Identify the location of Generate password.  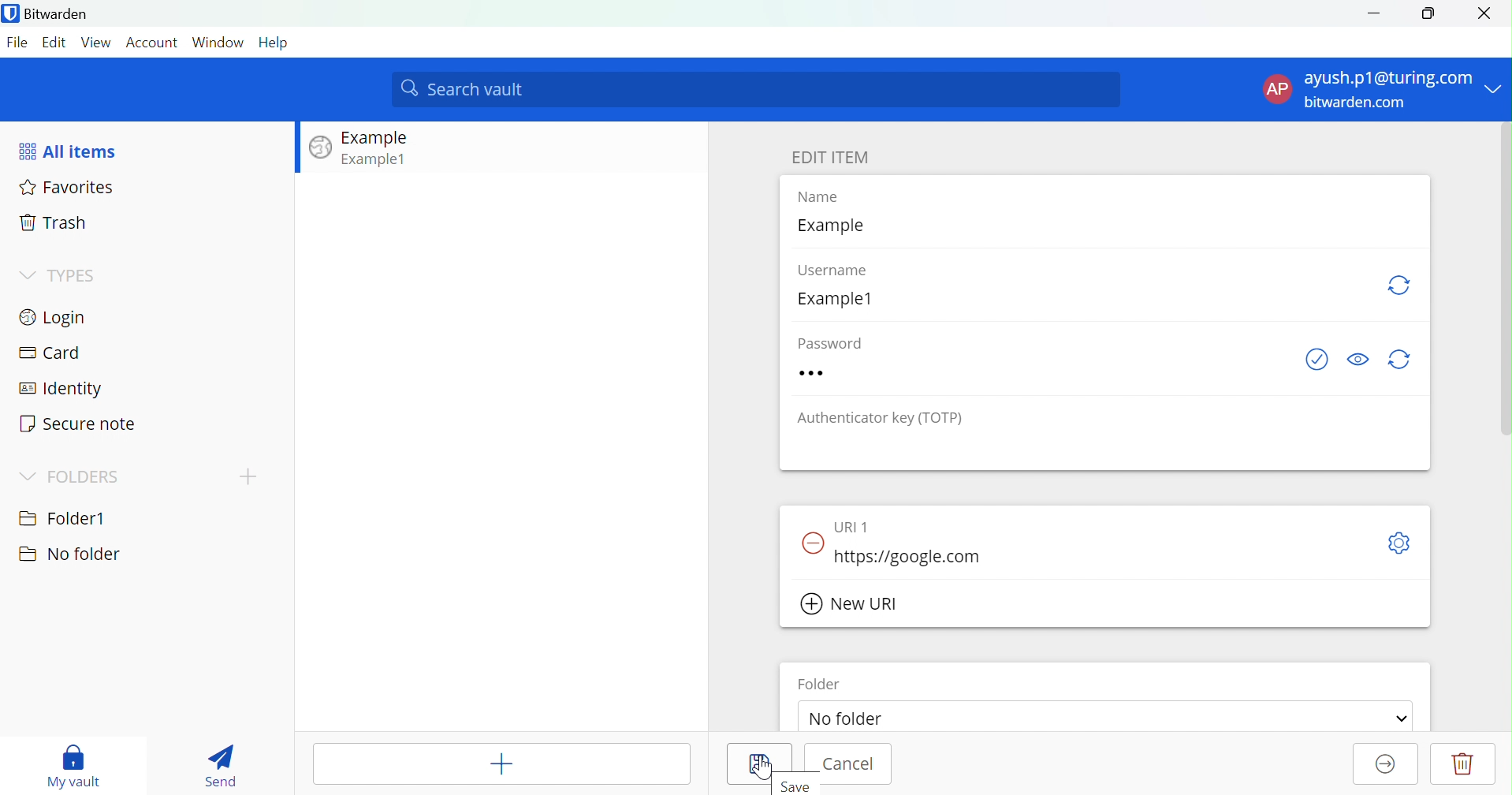
(1404, 359).